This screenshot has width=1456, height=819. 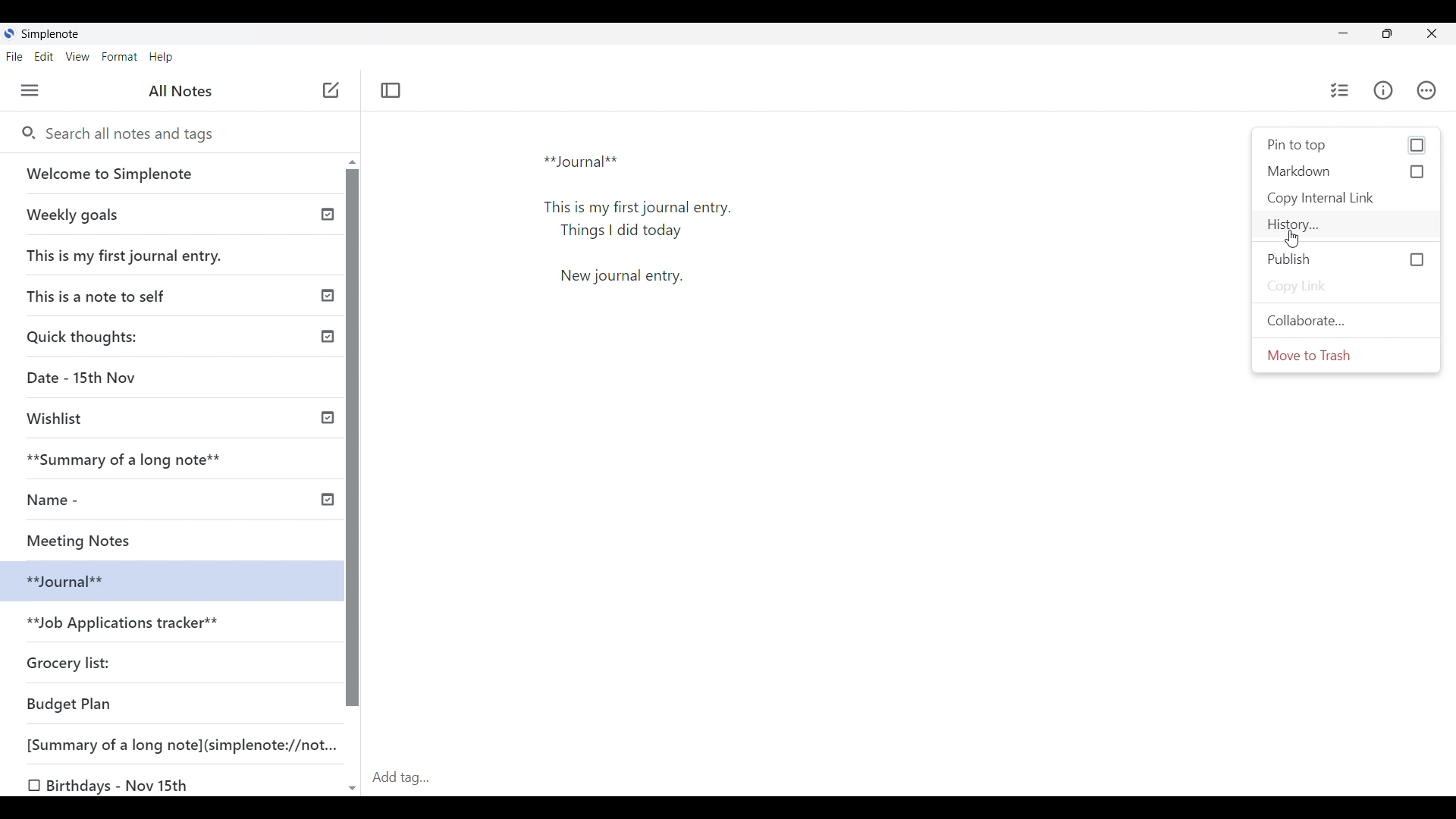 I want to click on Click to activate markdown, so click(x=1347, y=171).